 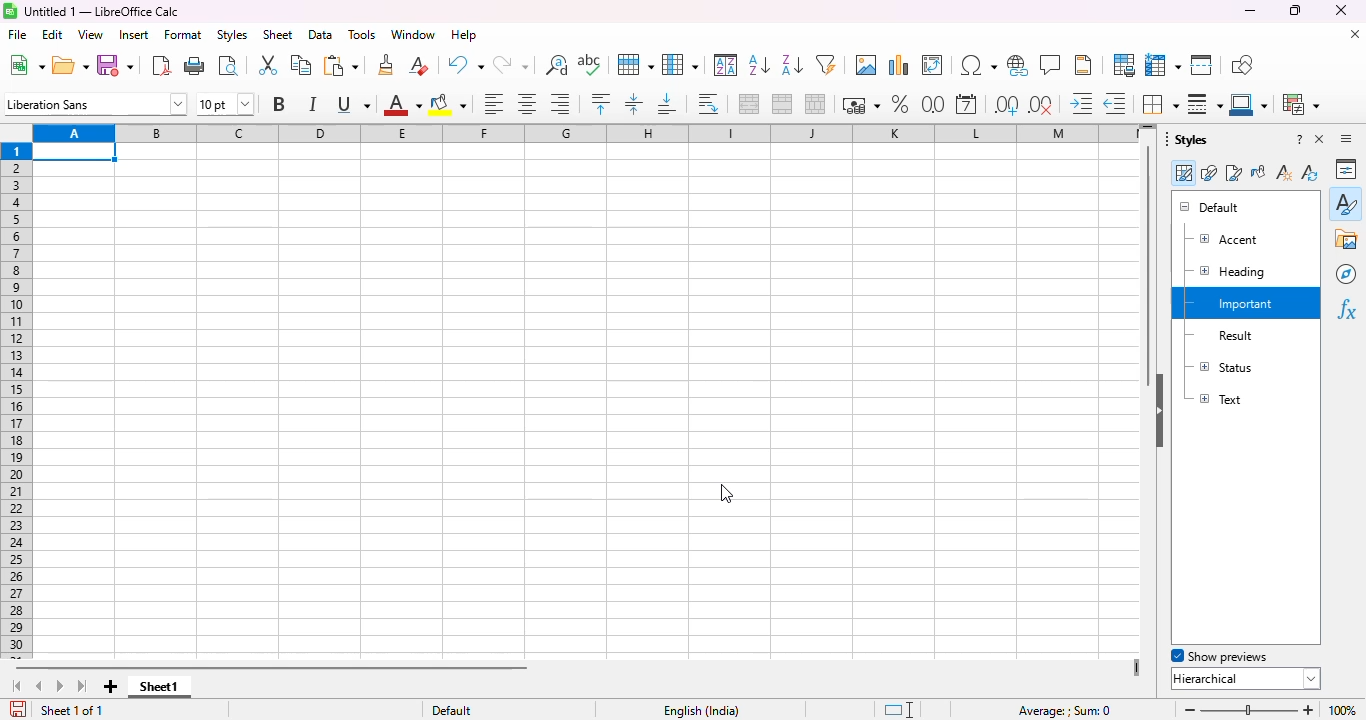 I want to click on help, so click(x=464, y=35).